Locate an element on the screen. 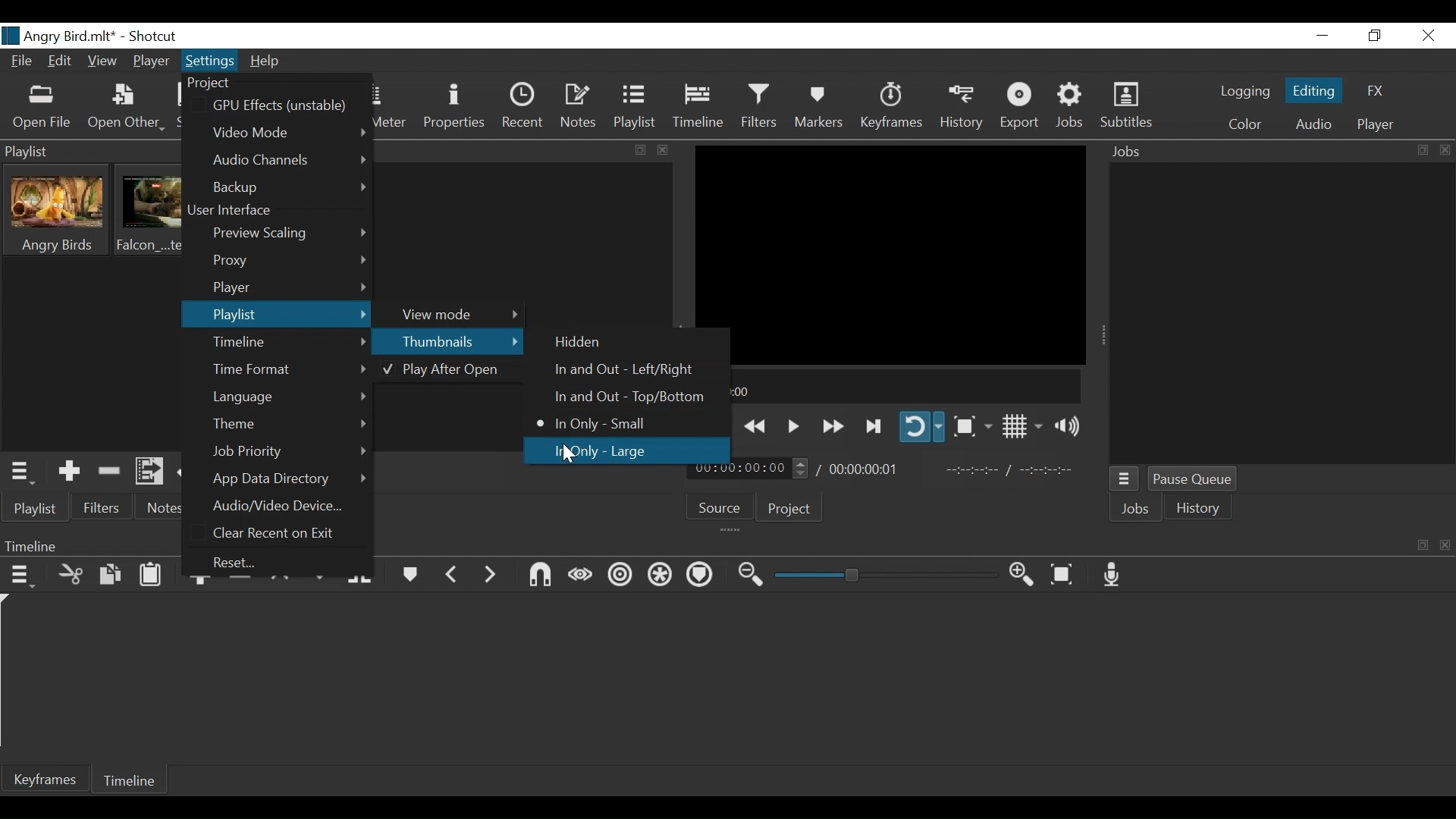 Image resolution: width=1456 pixels, height=819 pixels. Jobs Menu is located at coordinates (1125, 480).